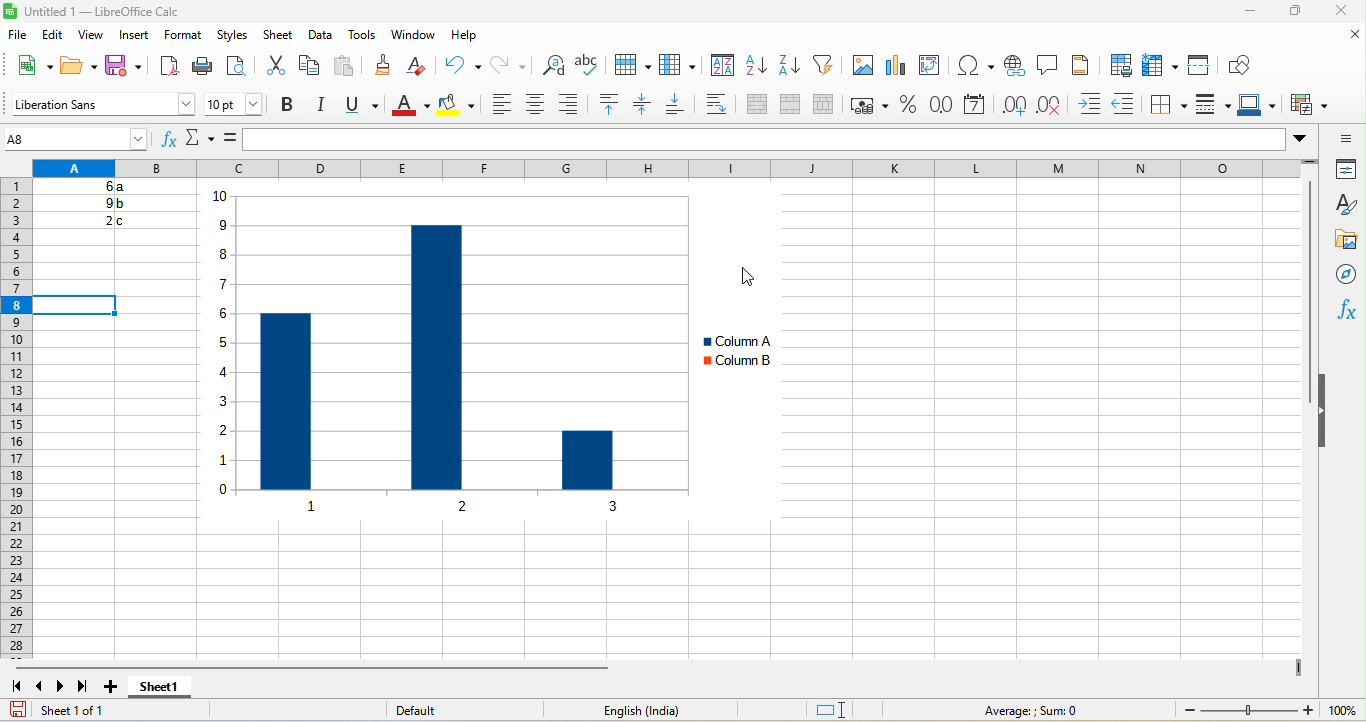  Describe the element at coordinates (125, 64) in the screenshot. I see `save` at that location.